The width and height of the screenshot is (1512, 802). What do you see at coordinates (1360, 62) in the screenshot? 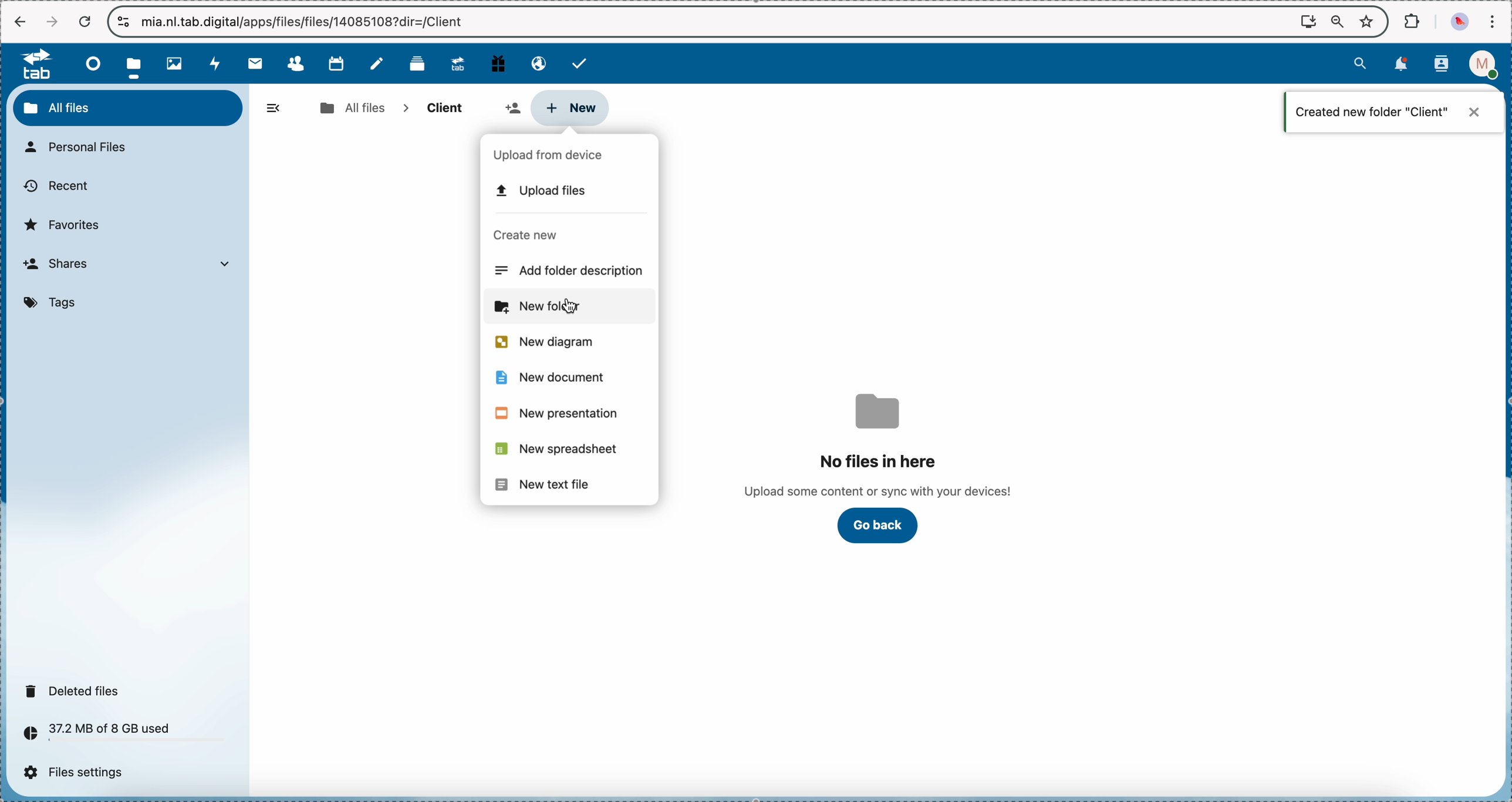
I see `search` at bounding box center [1360, 62].